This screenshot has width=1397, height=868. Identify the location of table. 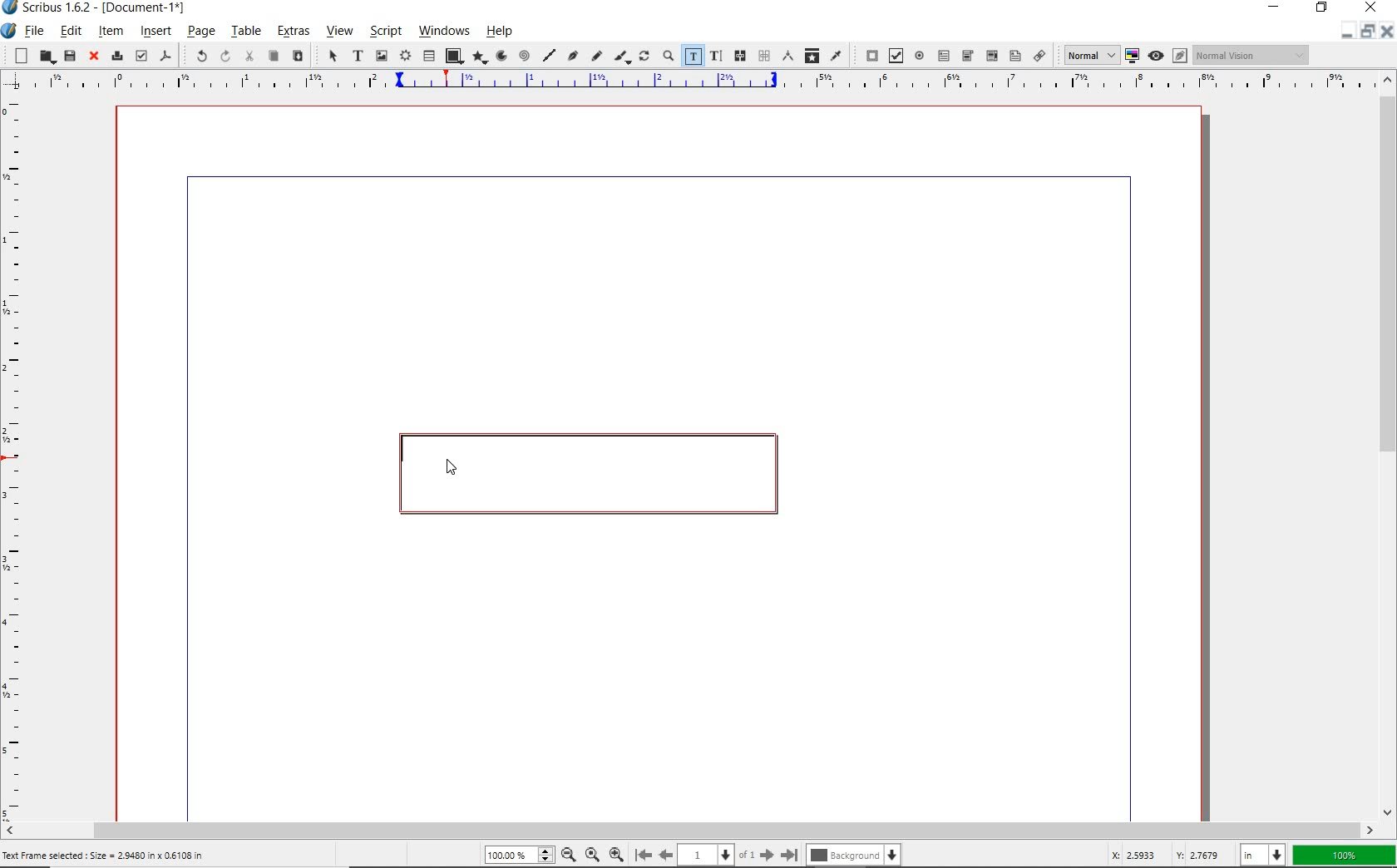
(245, 32).